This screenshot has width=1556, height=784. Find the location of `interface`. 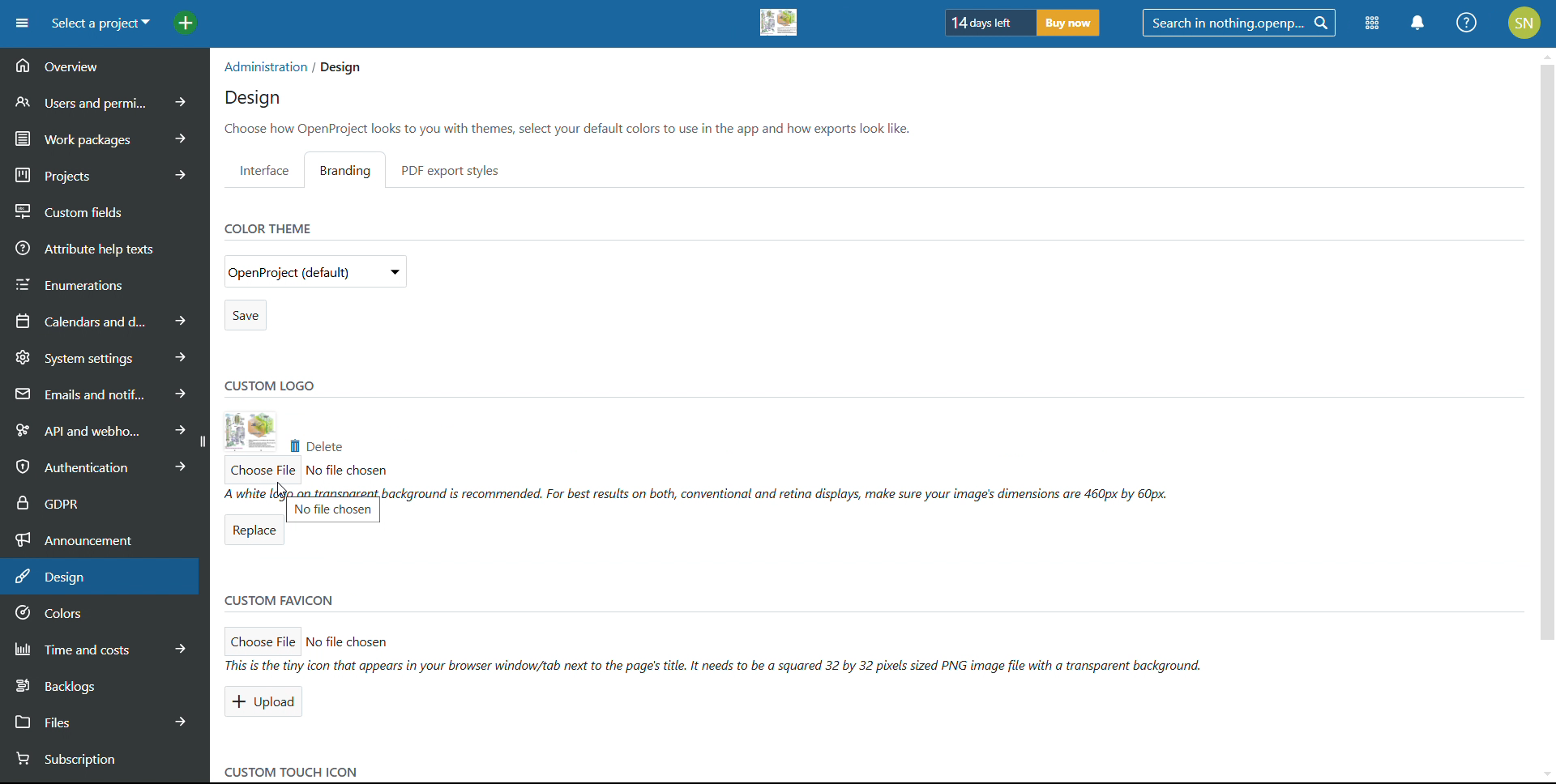

interface is located at coordinates (264, 169).